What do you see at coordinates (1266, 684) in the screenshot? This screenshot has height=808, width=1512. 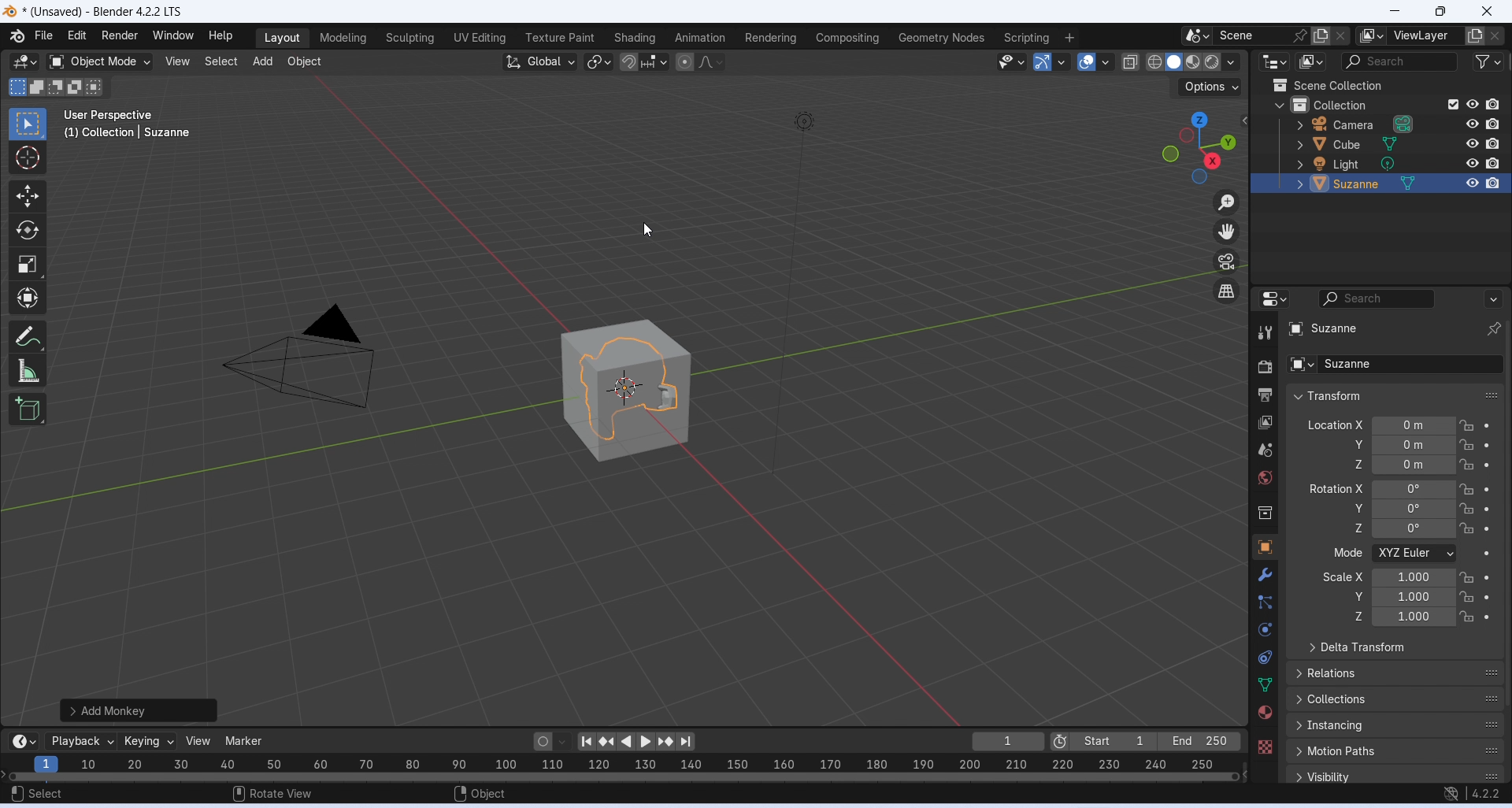 I see `data` at bounding box center [1266, 684].